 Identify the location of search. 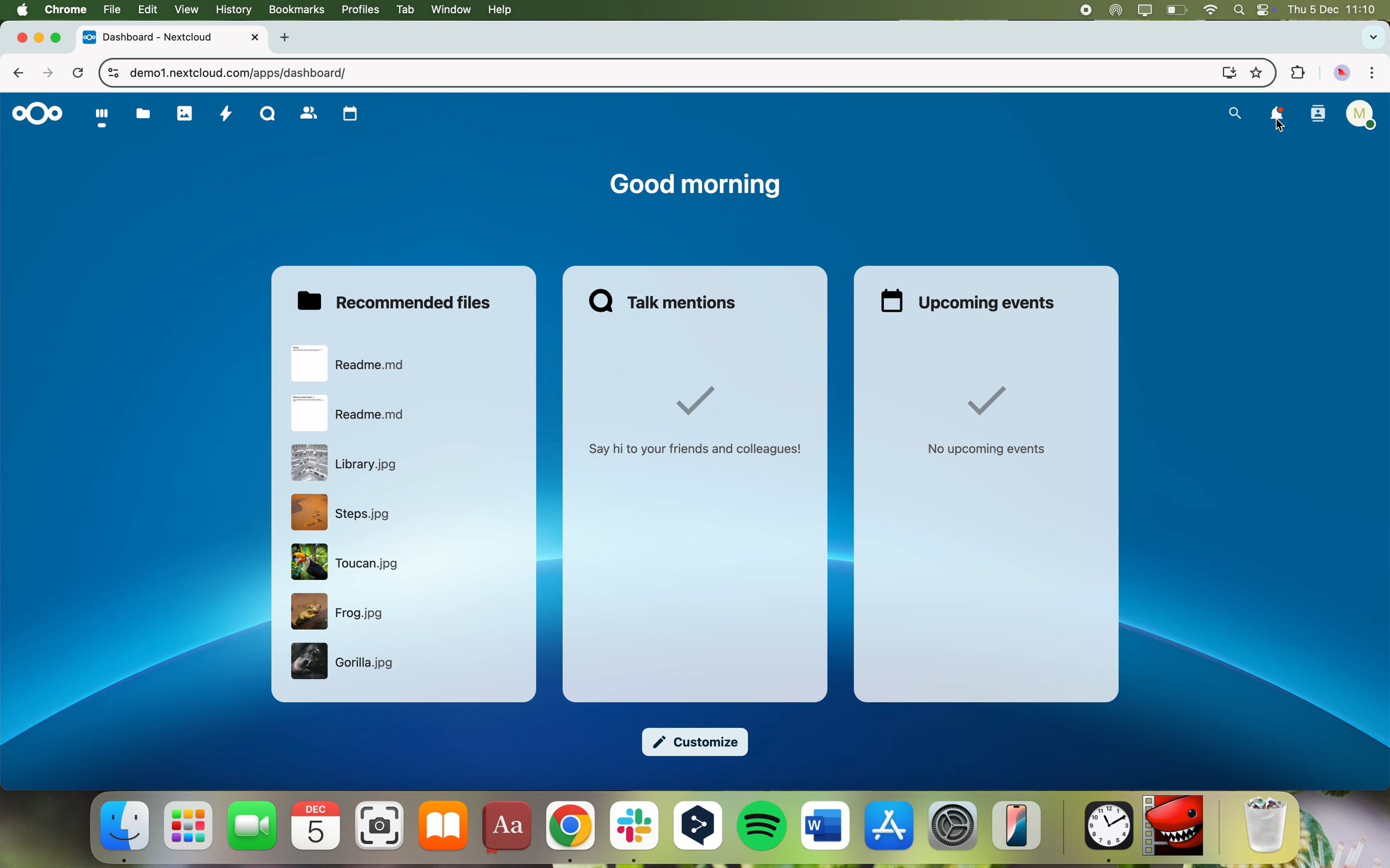
(1232, 114).